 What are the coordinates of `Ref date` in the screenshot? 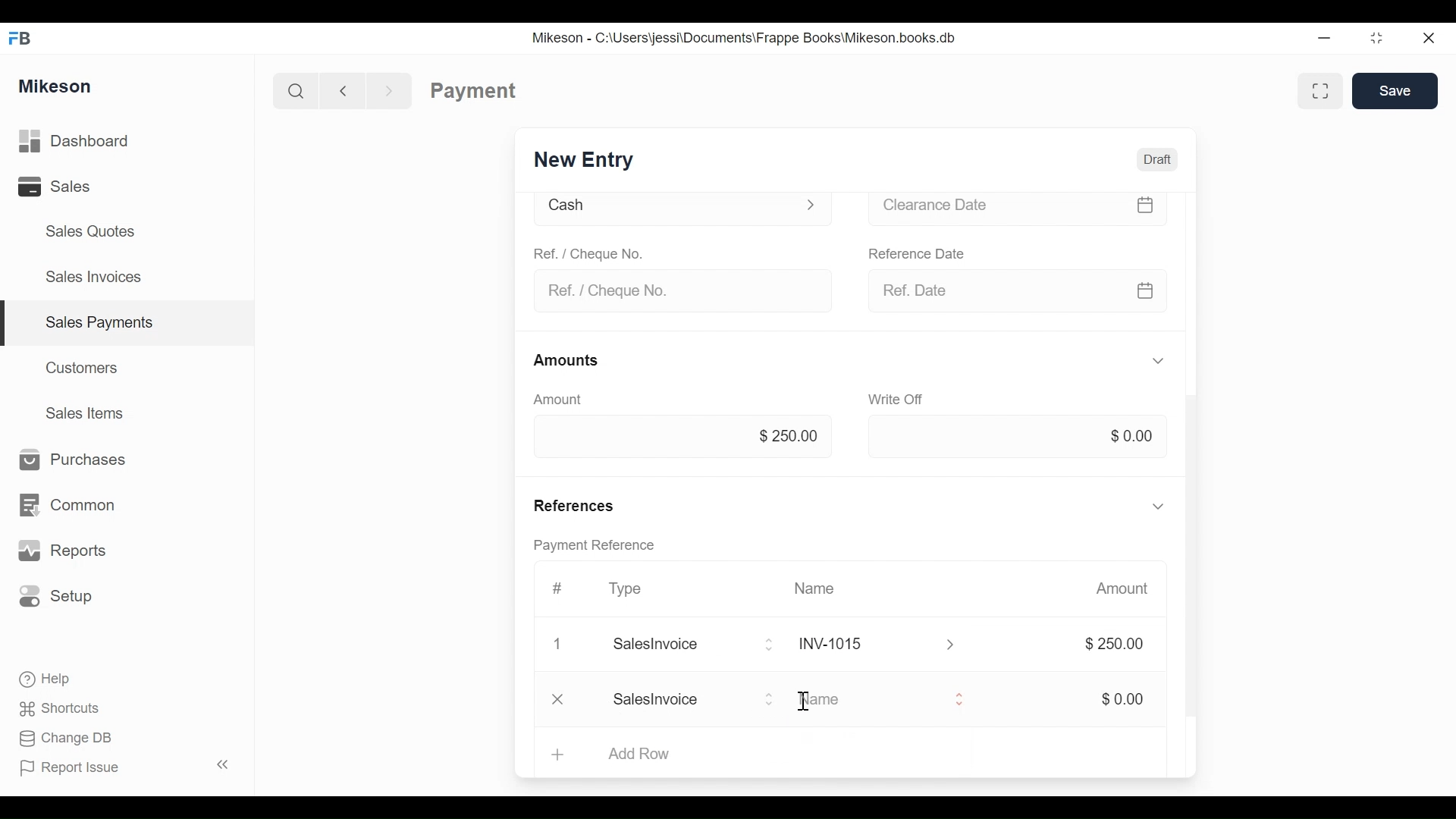 It's located at (1022, 293).